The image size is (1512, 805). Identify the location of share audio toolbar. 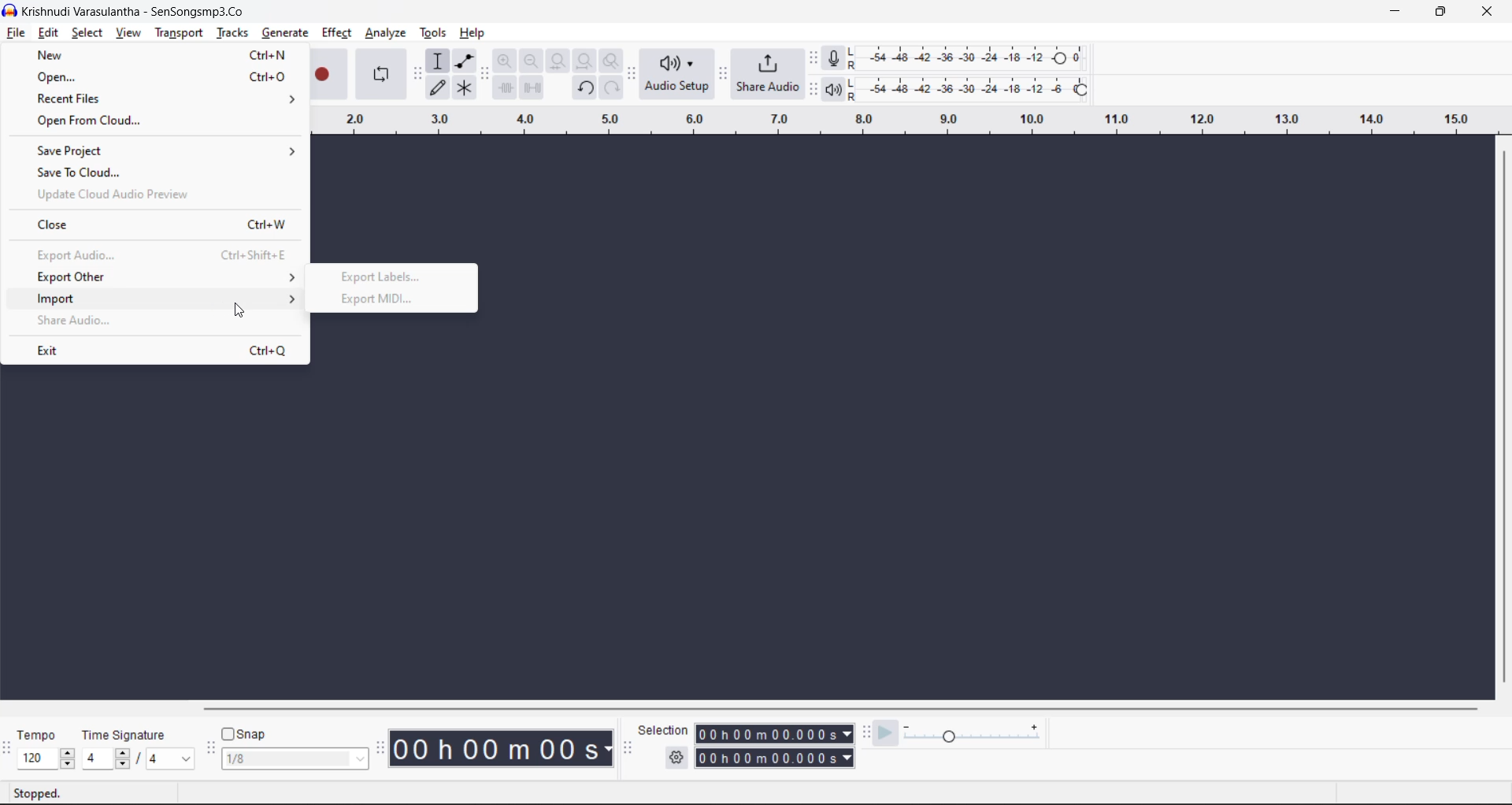
(724, 75).